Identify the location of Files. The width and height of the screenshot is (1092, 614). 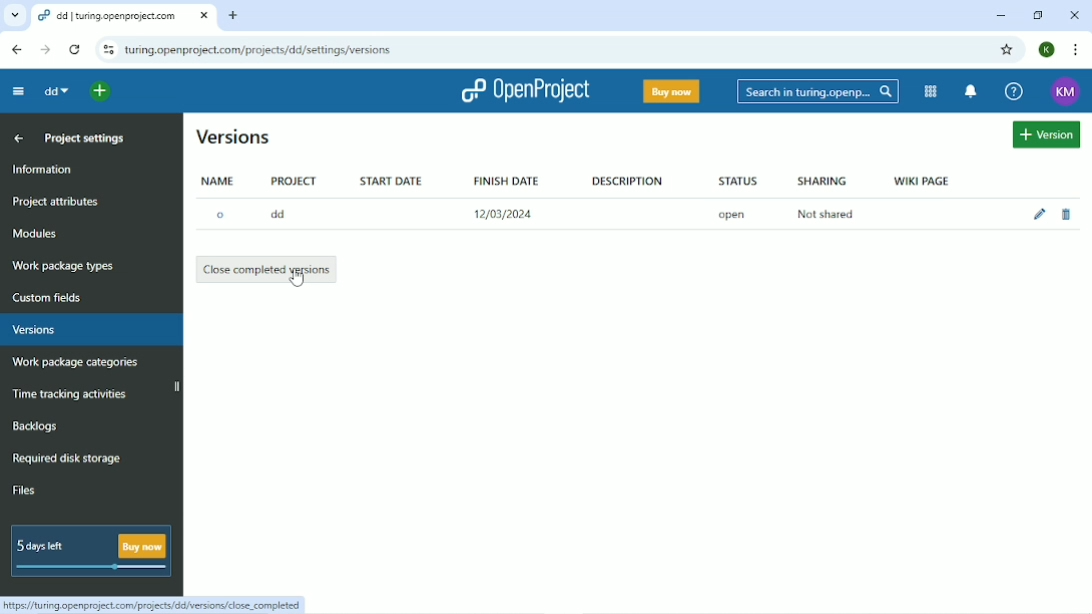
(28, 489).